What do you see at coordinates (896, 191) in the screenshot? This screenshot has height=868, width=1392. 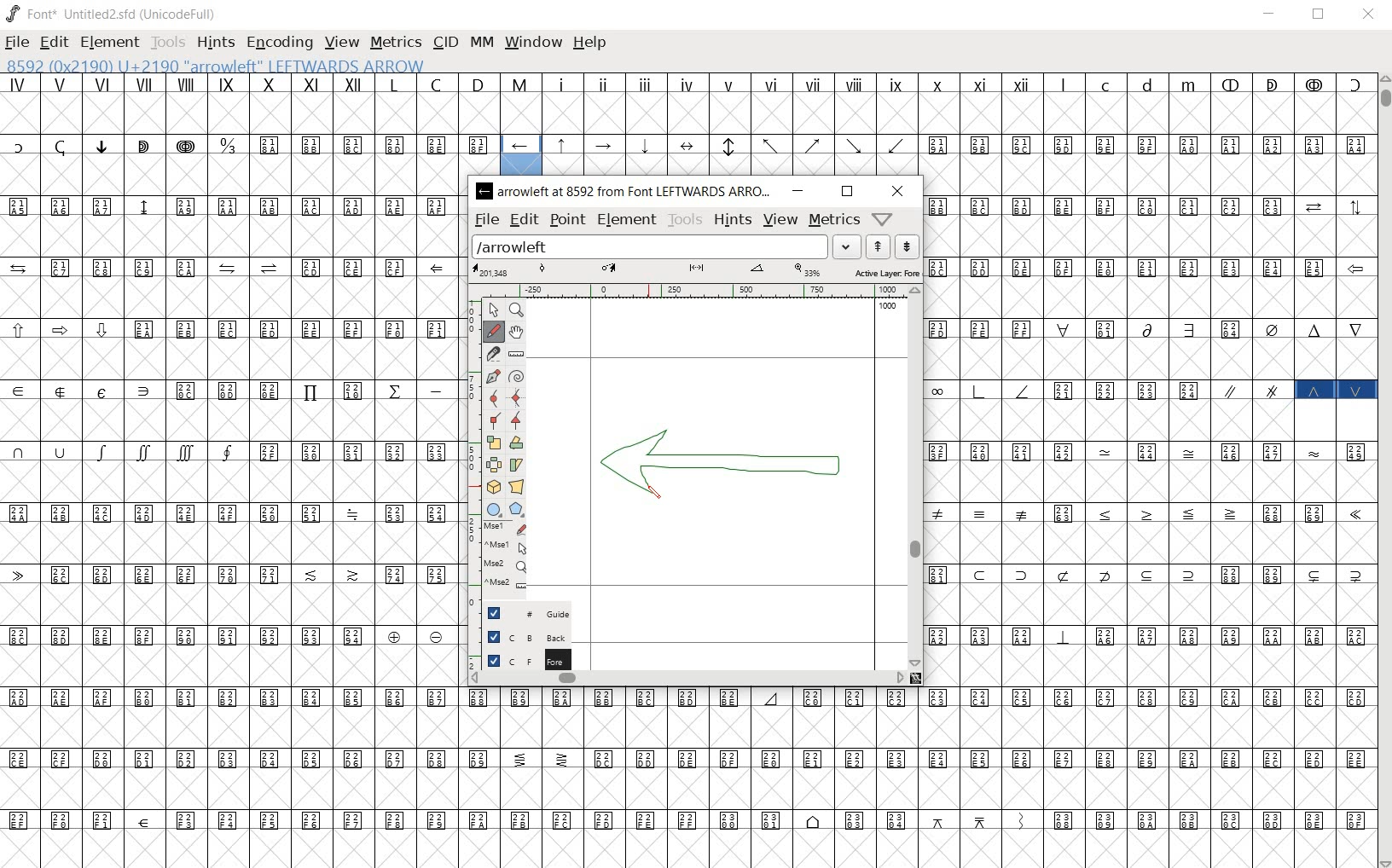 I see `close` at bounding box center [896, 191].